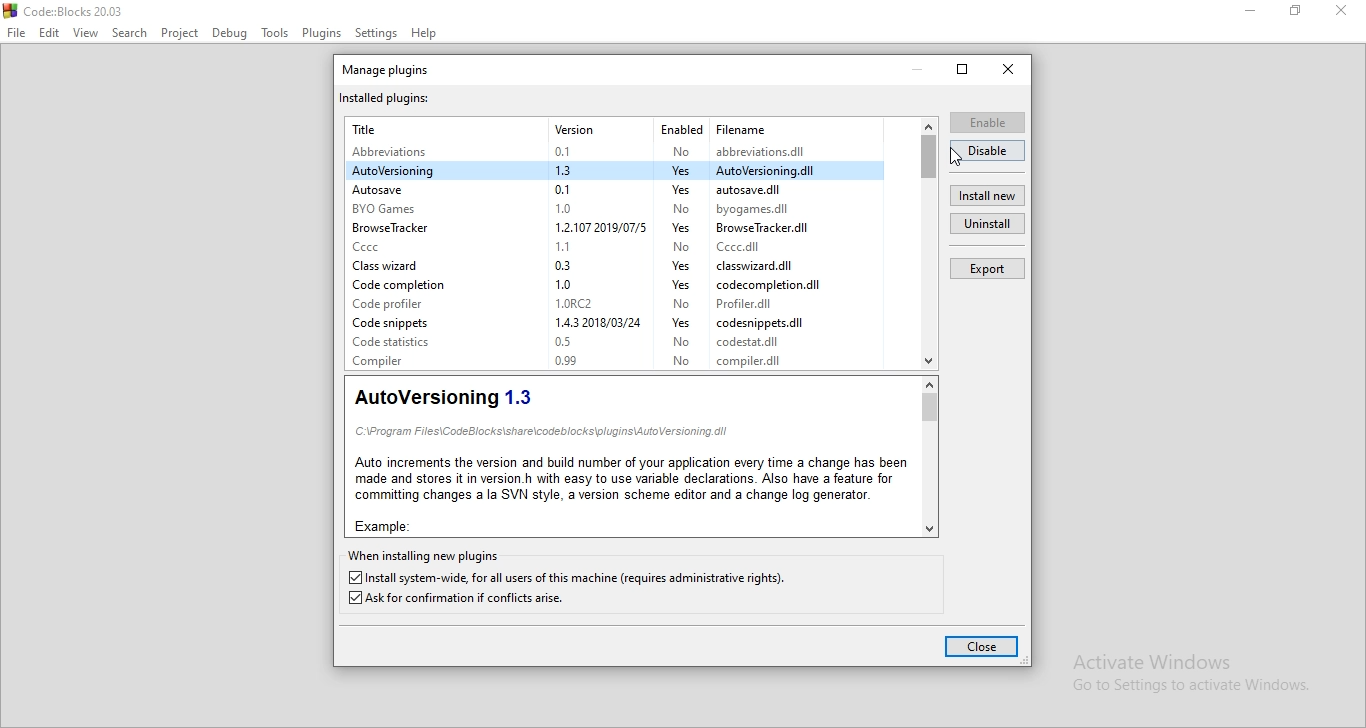 This screenshot has width=1366, height=728. I want to click on Browse tracker, so click(396, 228).